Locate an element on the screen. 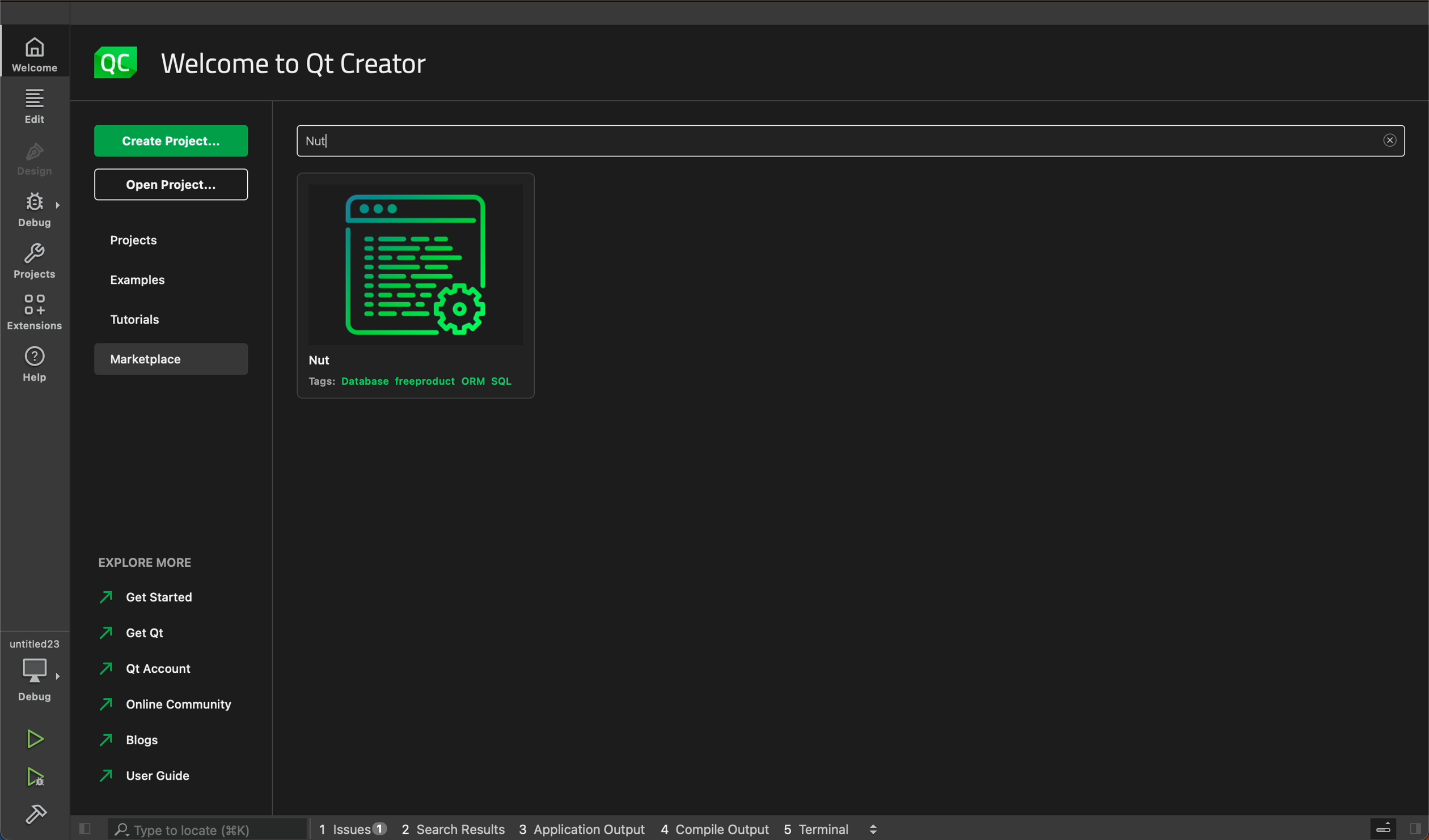 The height and width of the screenshot is (840, 1429). help is located at coordinates (34, 364).